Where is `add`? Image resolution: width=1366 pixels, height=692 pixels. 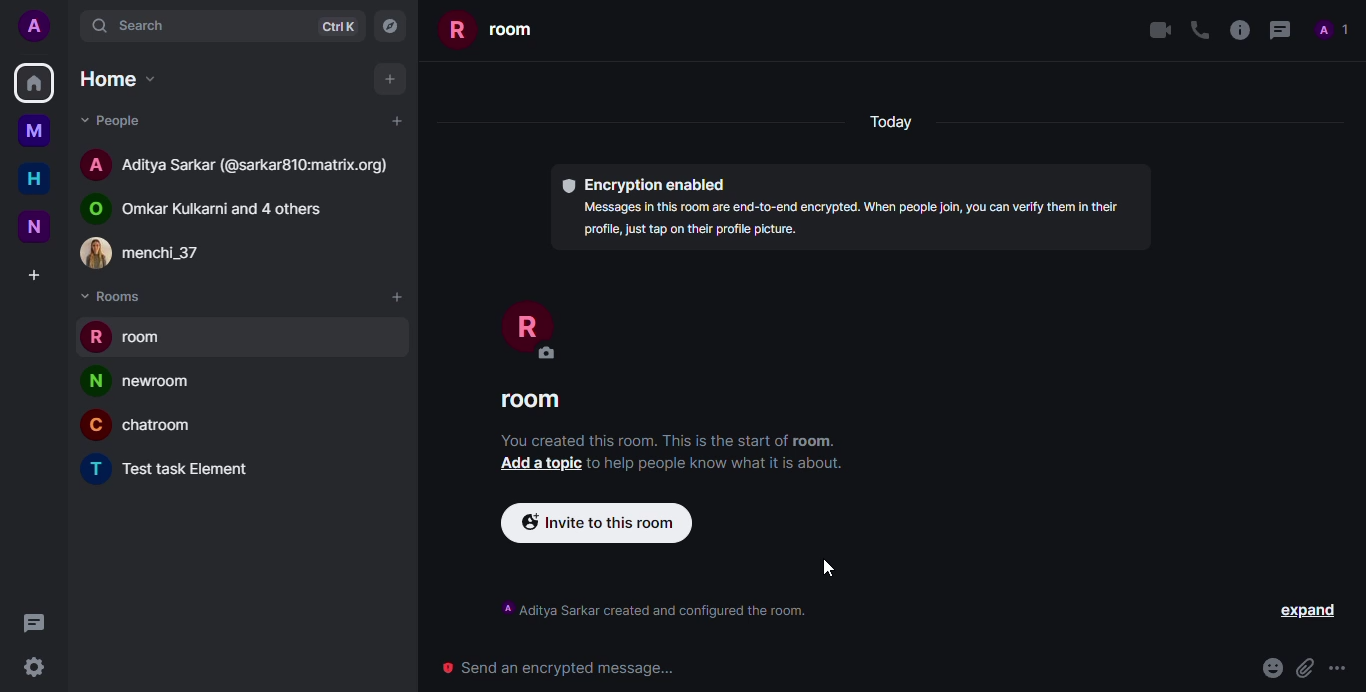 add is located at coordinates (398, 294).